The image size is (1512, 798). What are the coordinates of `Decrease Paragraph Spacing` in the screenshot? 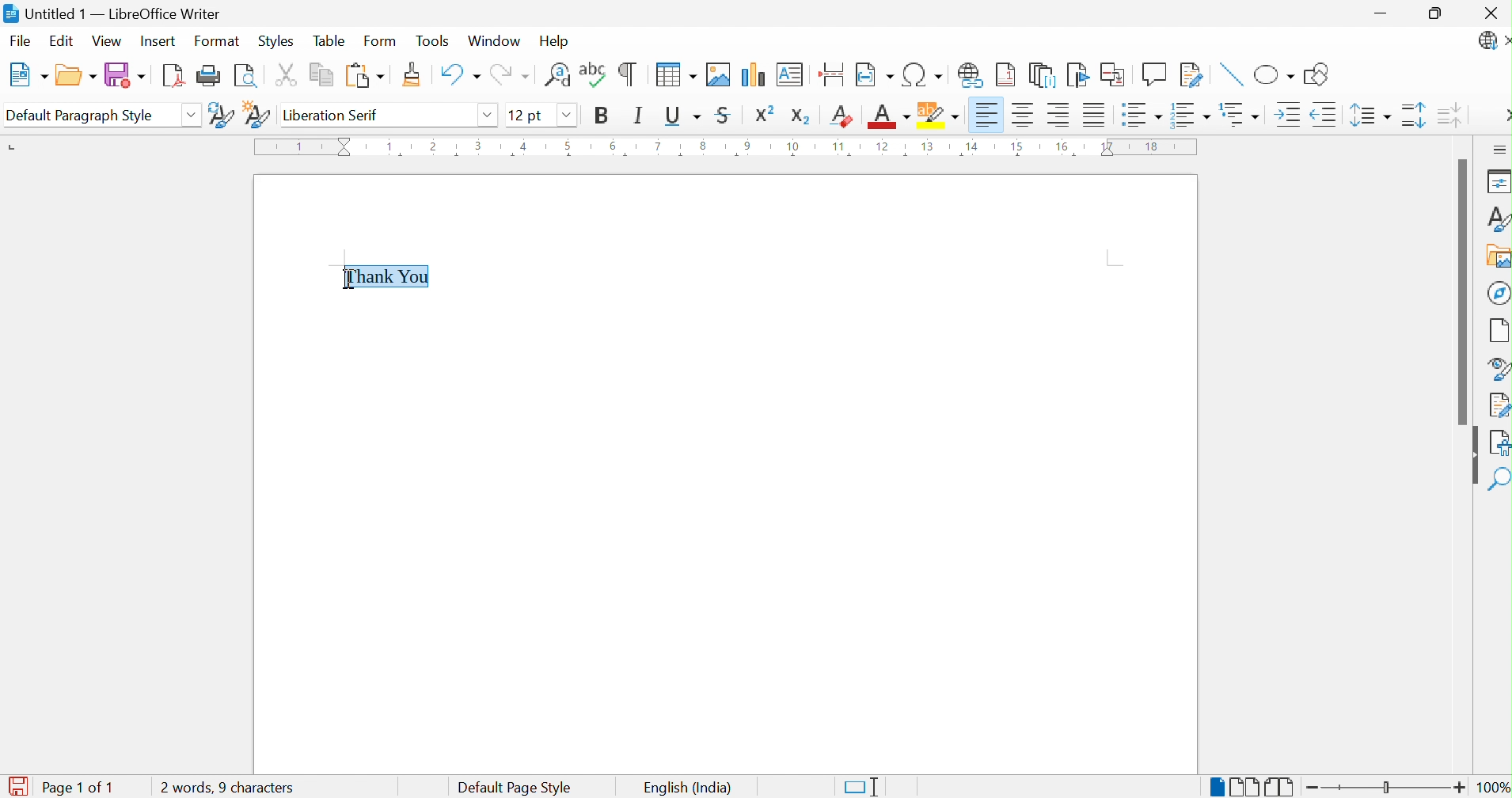 It's located at (1451, 117).